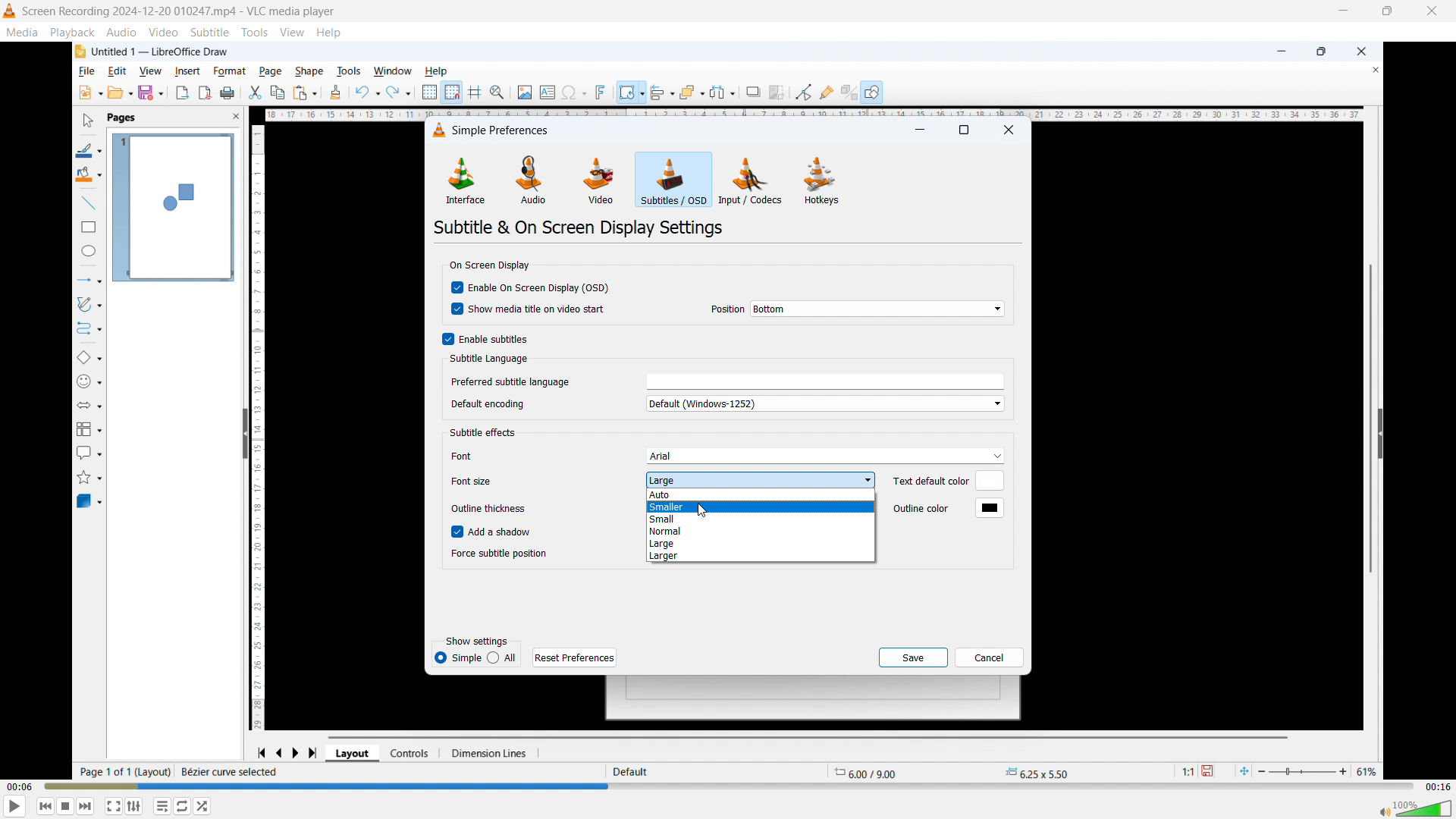 The height and width of the screenshot is (819, 1456). I want to click on Subtitle font , so click(824, 457).